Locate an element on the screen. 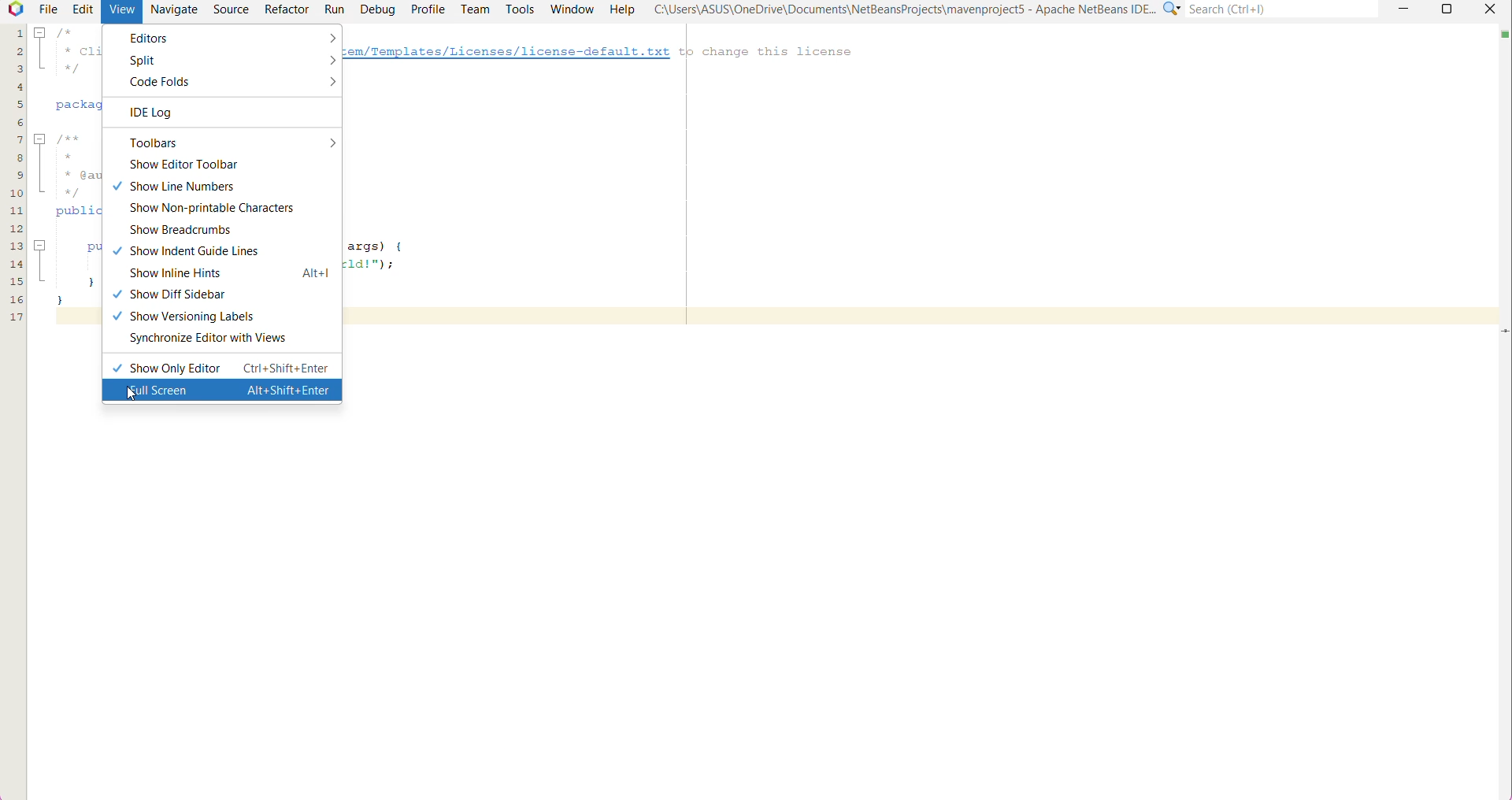 The image size is (1512, 800). Show Inline Hints is located at coordinates (223, 273).